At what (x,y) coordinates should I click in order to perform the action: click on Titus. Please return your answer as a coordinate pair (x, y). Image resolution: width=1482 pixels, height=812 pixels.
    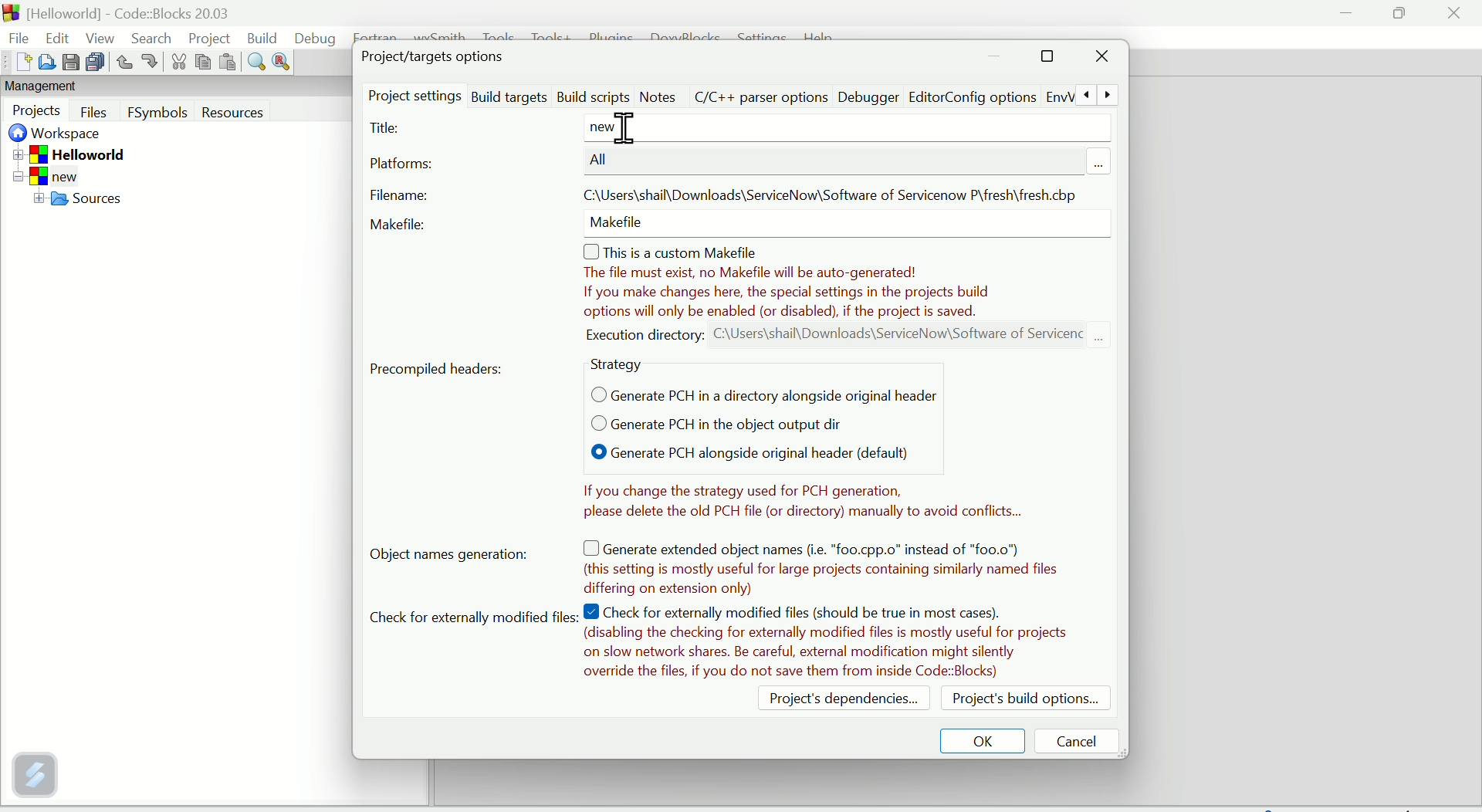
    Looking at the image, I should click on (387, 129).